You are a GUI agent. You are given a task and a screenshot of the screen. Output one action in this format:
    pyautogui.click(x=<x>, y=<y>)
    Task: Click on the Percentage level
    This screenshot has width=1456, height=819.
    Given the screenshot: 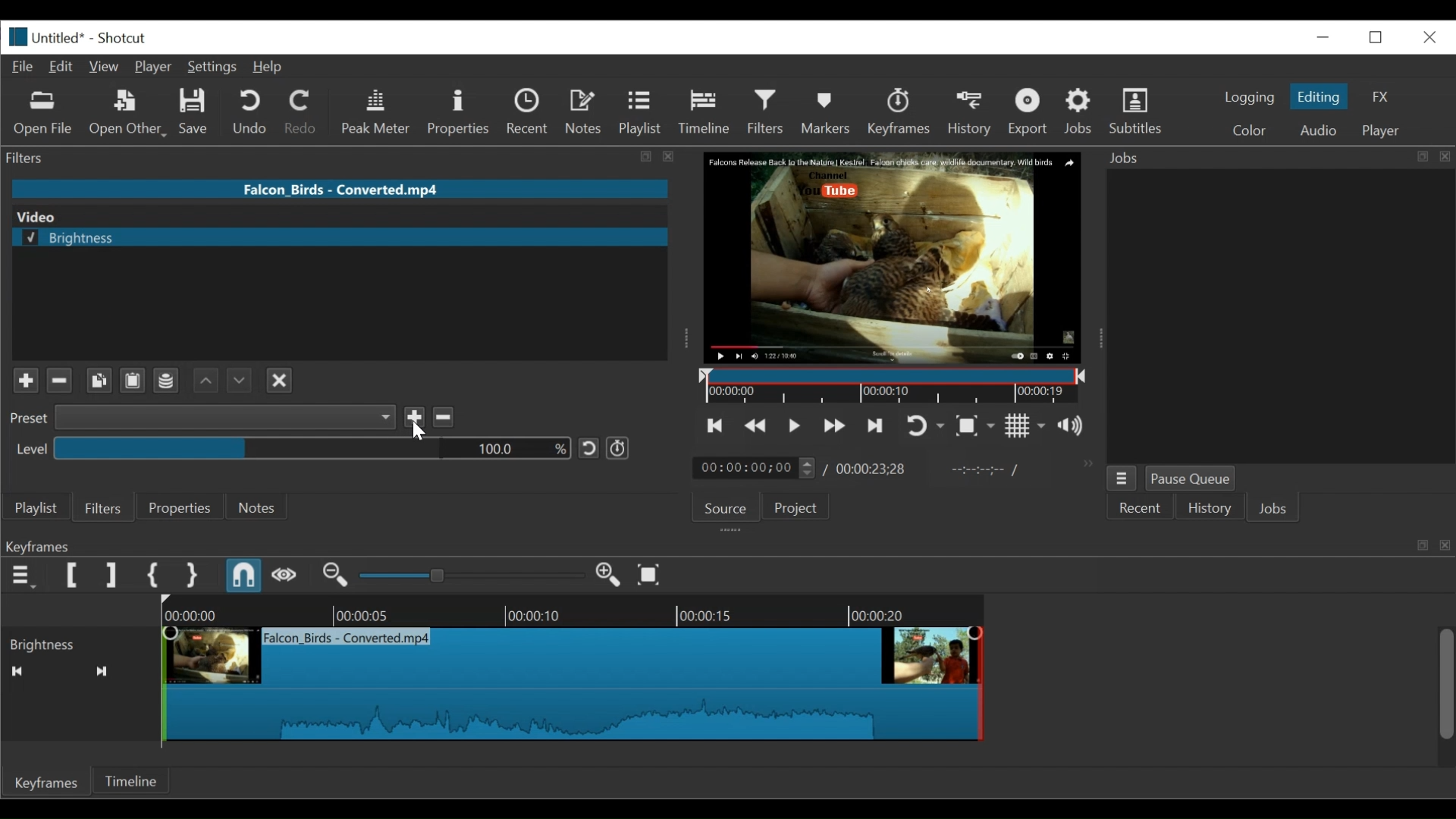 What is the action you would take?
    pyautogui.click(x=311, y=447)
    